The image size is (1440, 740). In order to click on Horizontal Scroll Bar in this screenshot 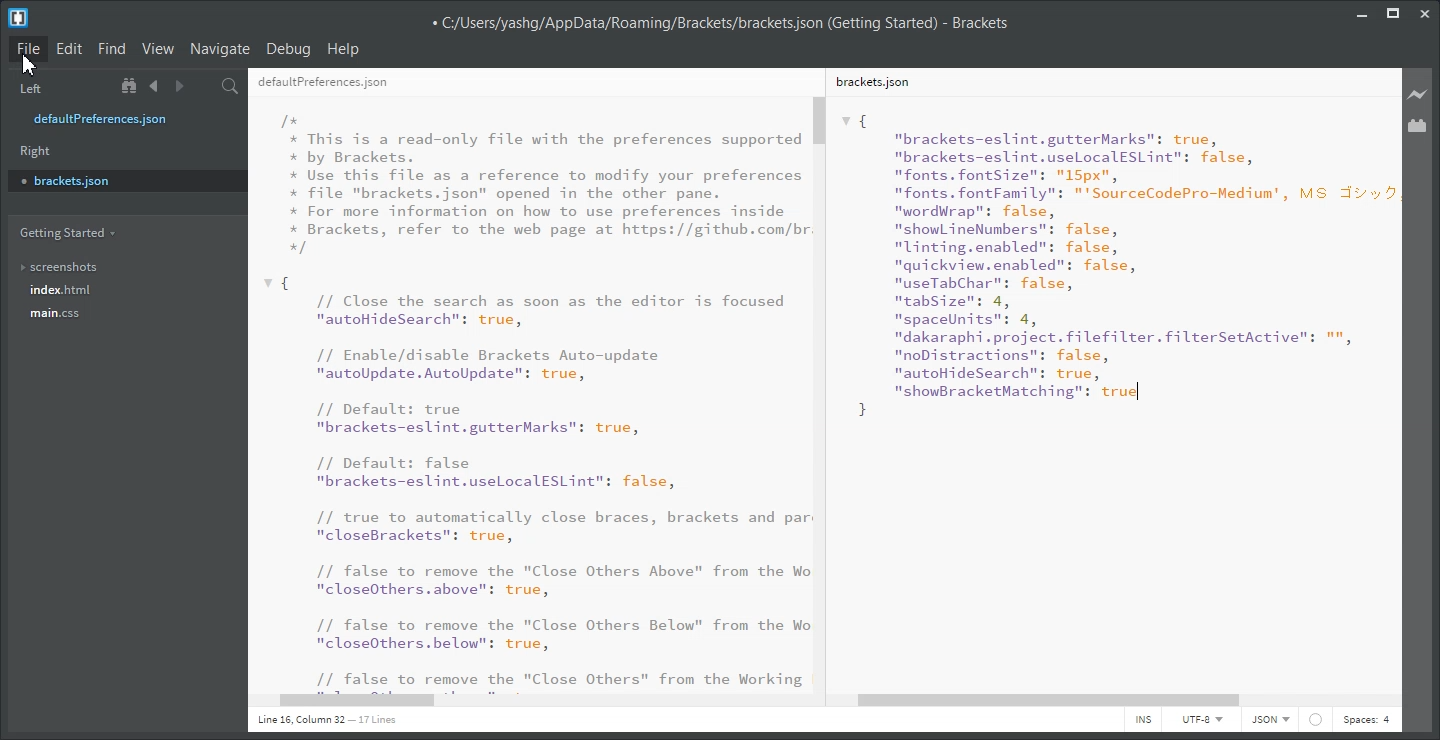, I will do `click(1116, 701)`.